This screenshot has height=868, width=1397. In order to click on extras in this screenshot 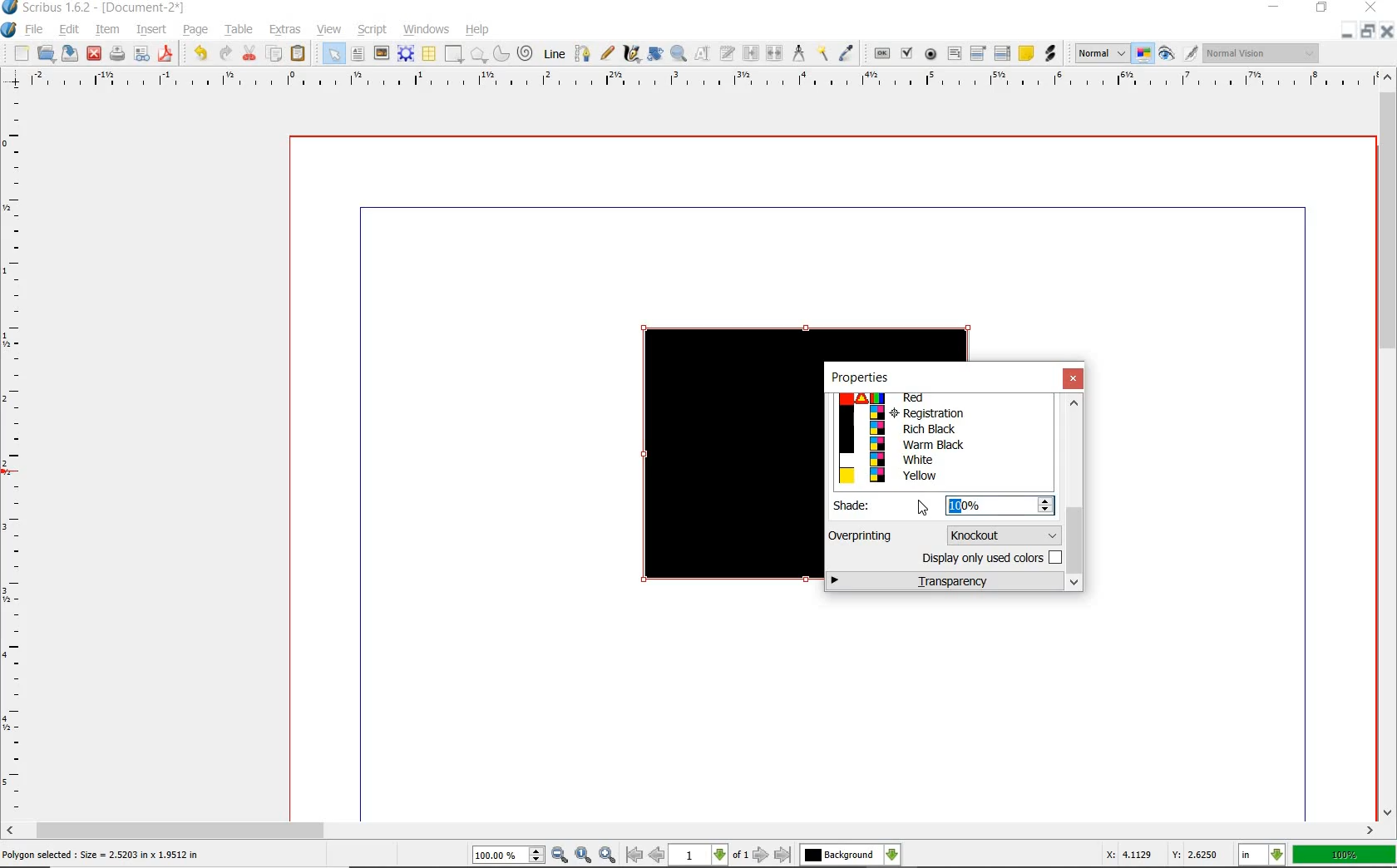, I will do `click(286, 29)`.